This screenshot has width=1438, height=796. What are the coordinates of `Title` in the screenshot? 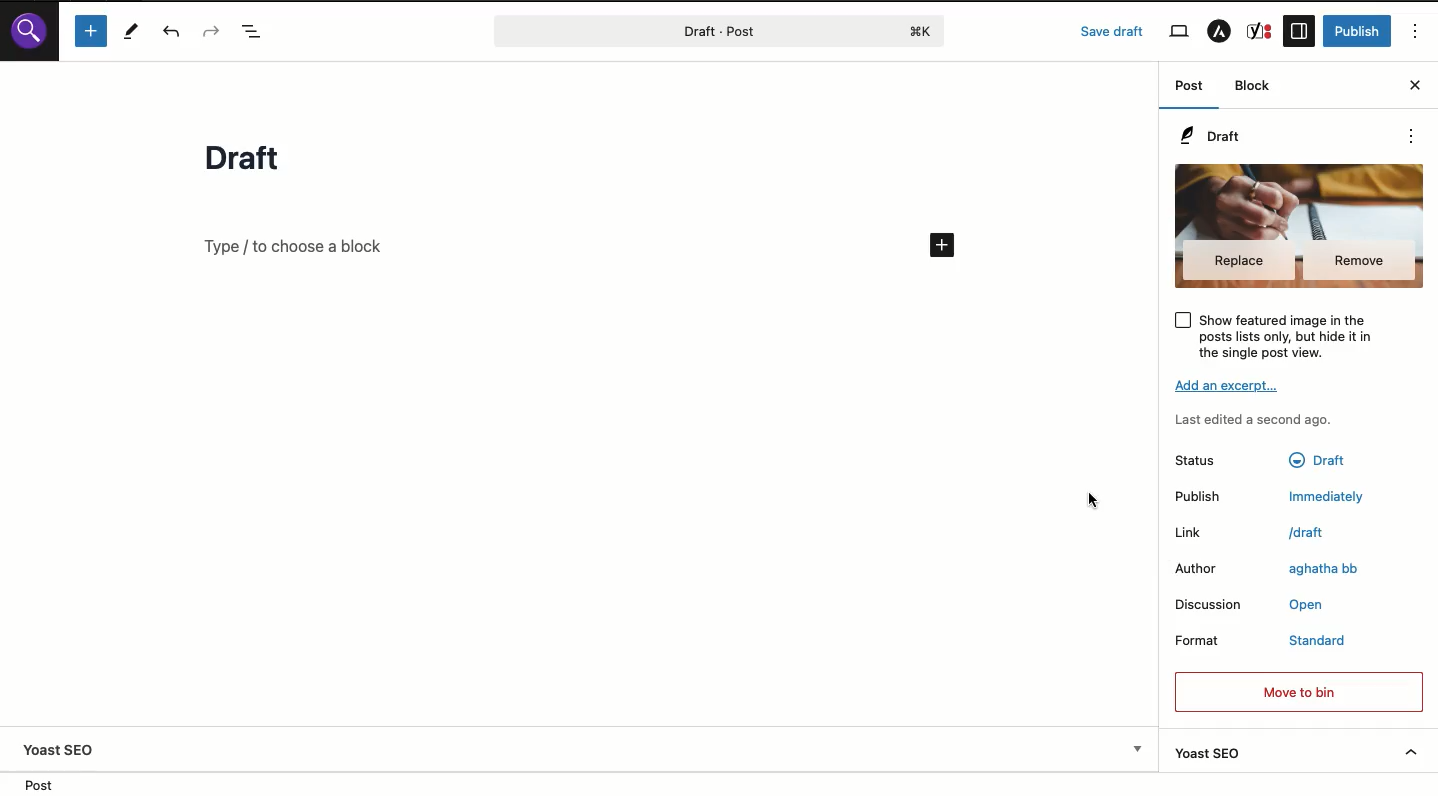 It's located at (247, 159).